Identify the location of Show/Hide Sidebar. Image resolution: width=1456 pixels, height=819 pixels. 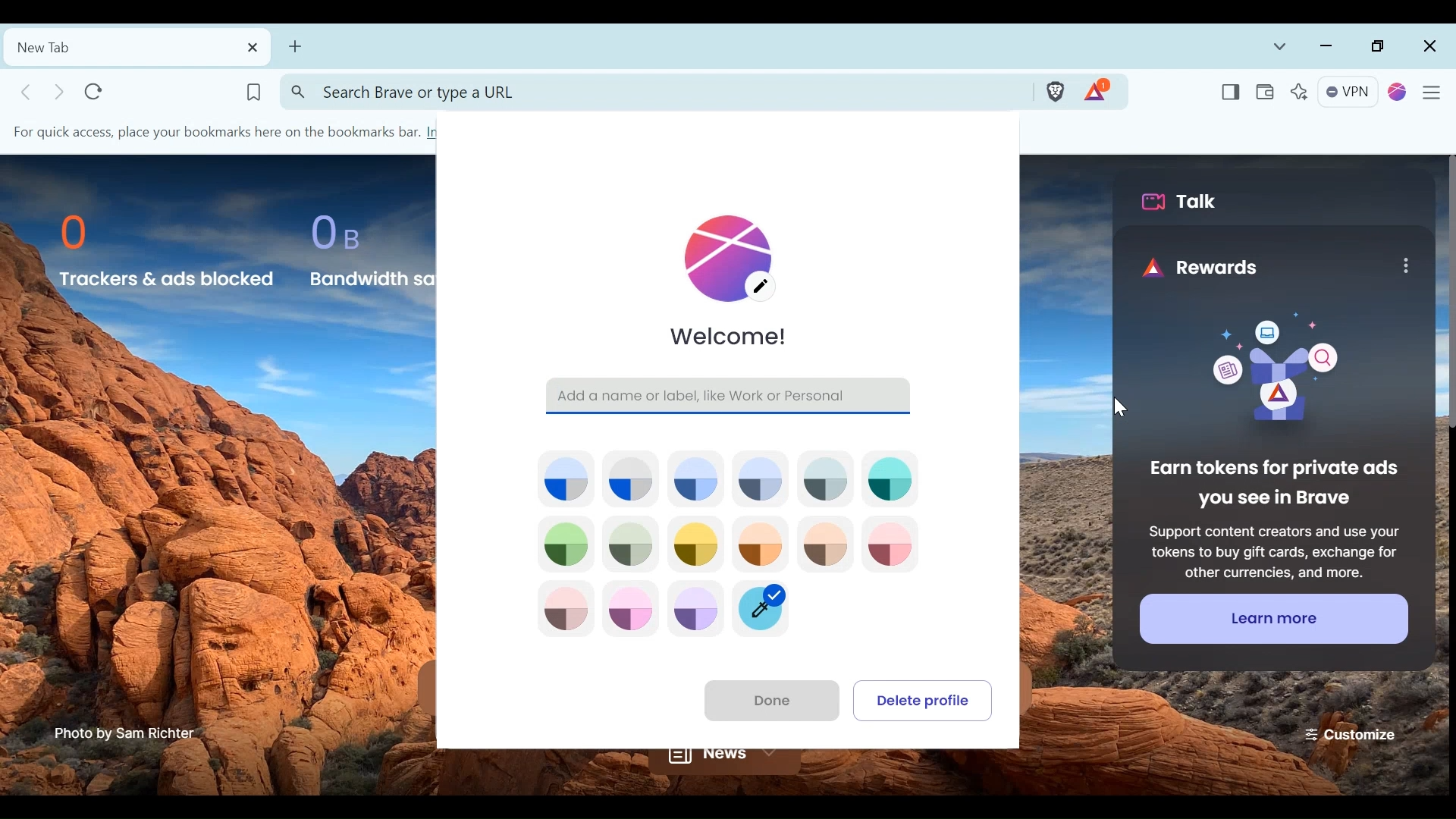
(1230, 93).